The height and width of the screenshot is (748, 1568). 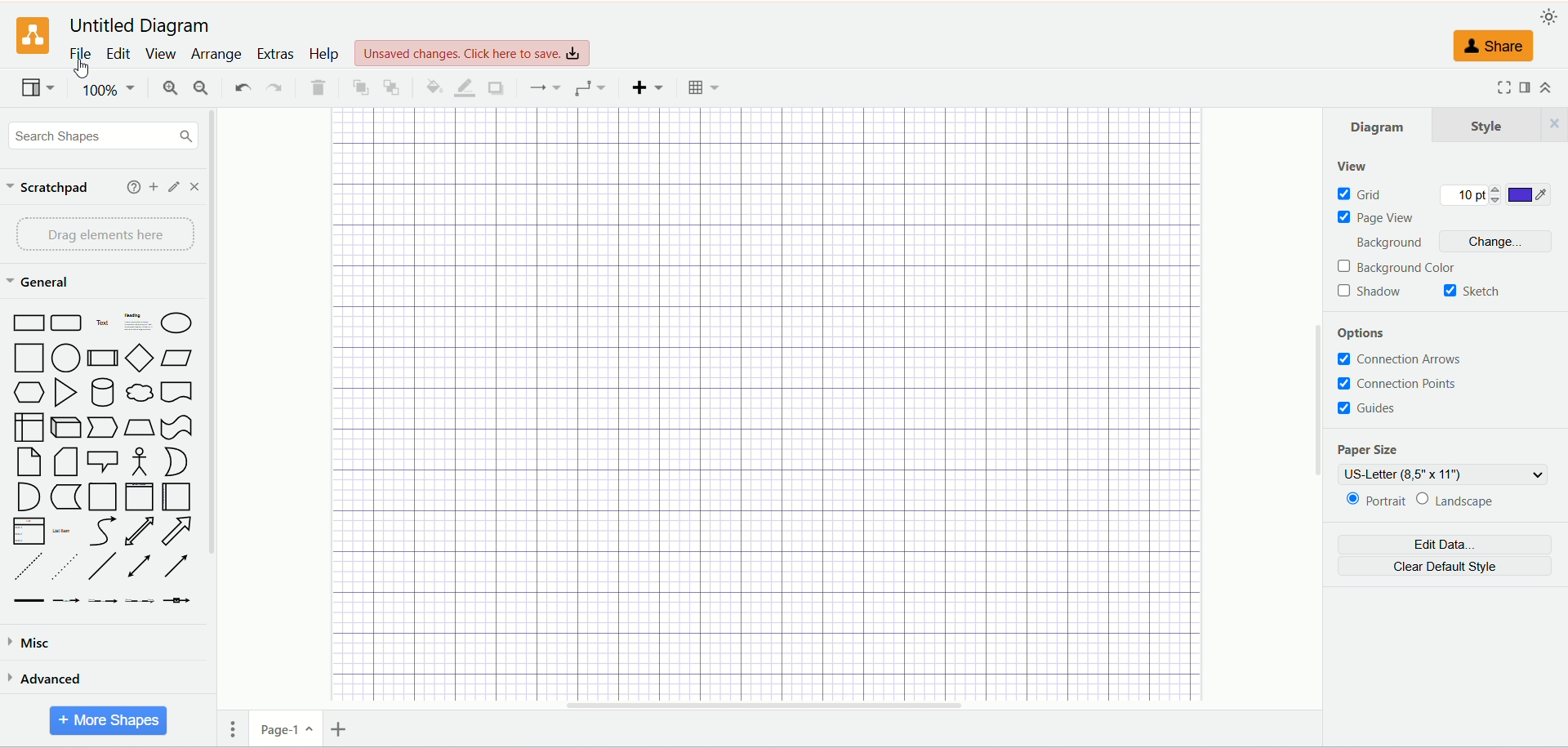 What do you see at coordinates (24, 566) in the screenshot?
I see `Dashed Line` at bounding box center [24, 566].